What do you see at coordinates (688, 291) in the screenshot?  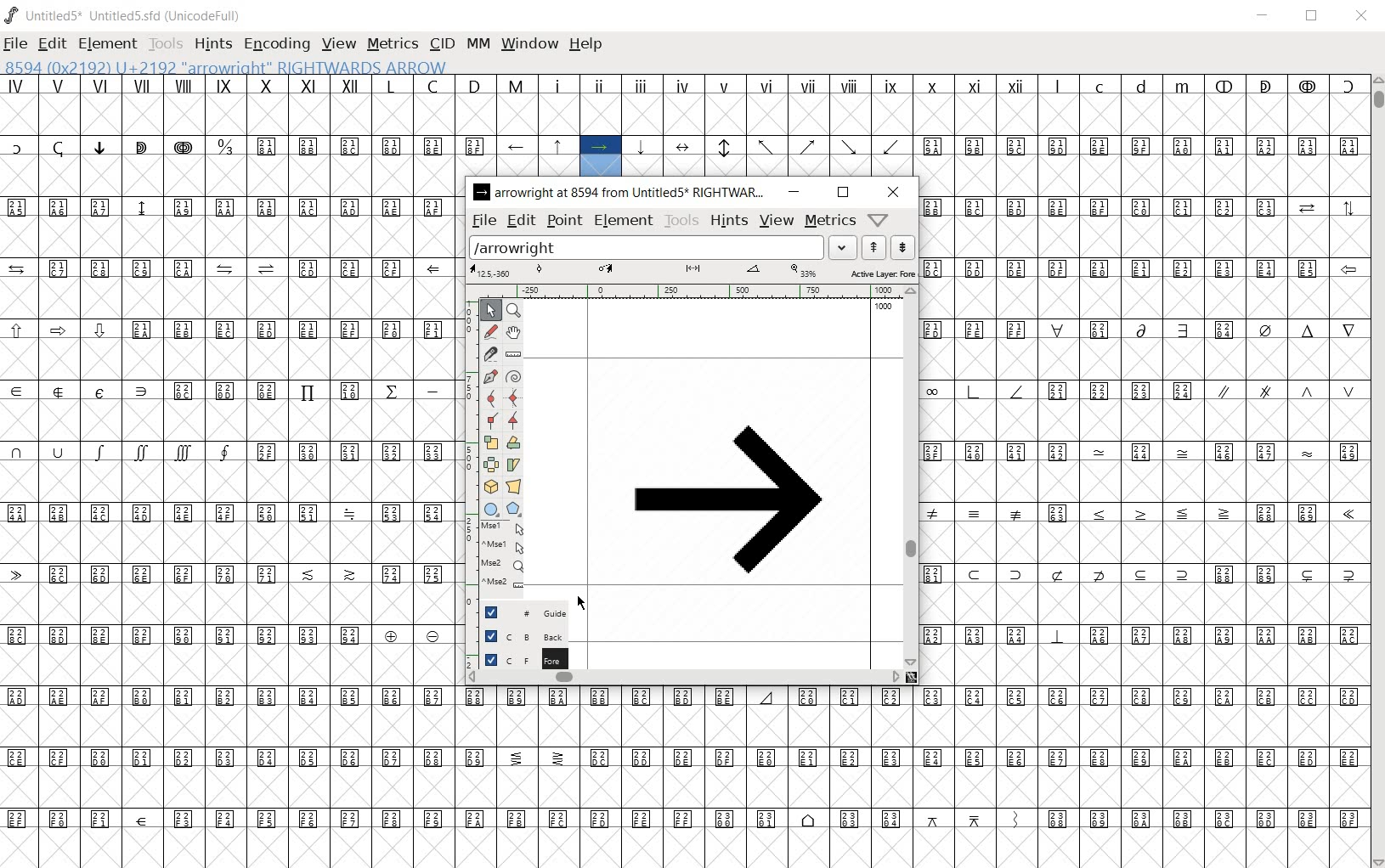 I see `ruler` at bounding box center [688, 291].